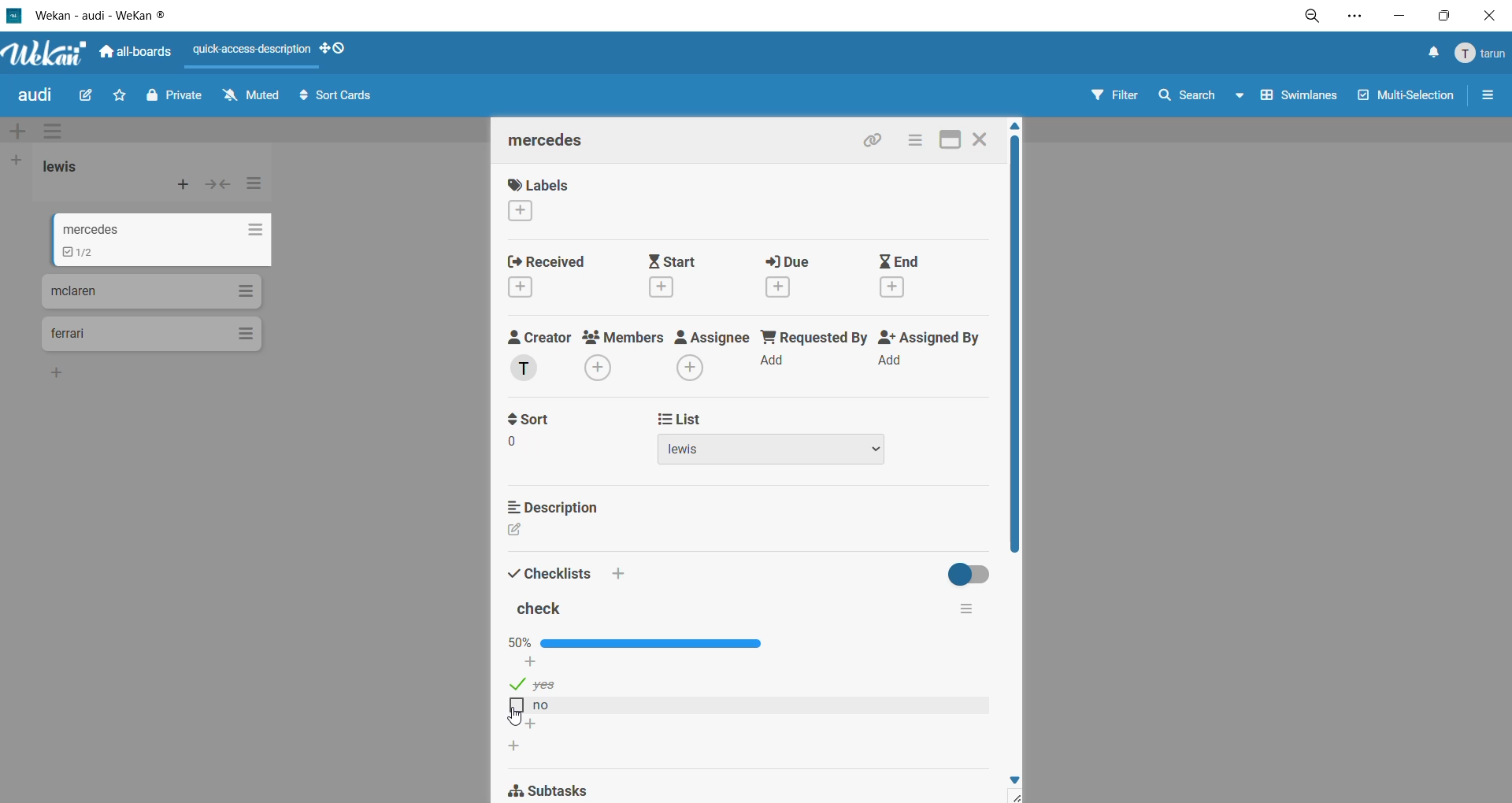 Image resolution: width=1512 pixels, height=803 pixels. I want to click on subtasks, so click(553, 791).